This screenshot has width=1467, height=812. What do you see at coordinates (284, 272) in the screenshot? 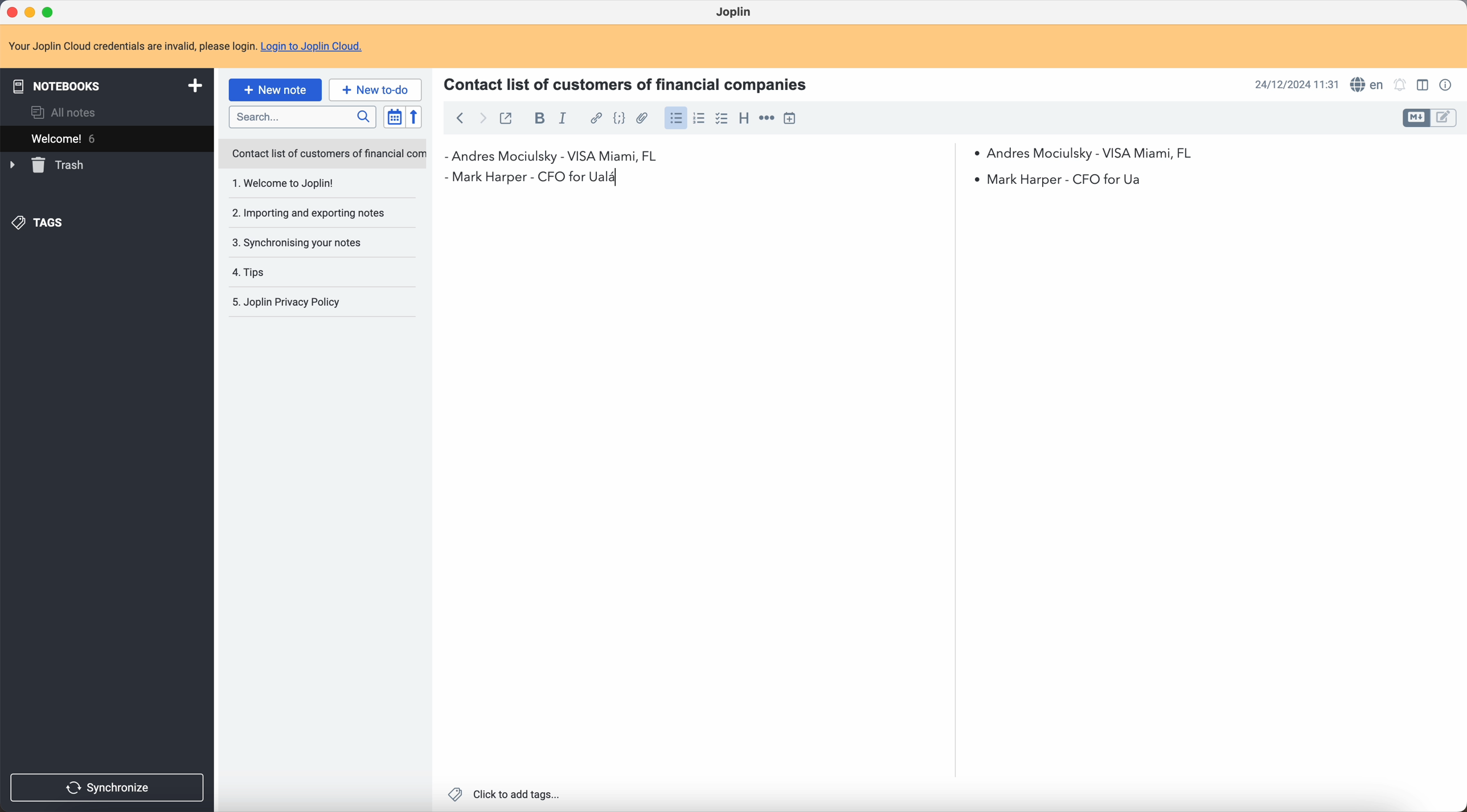
I see `4. Tips` at bounding box center [284, 272].